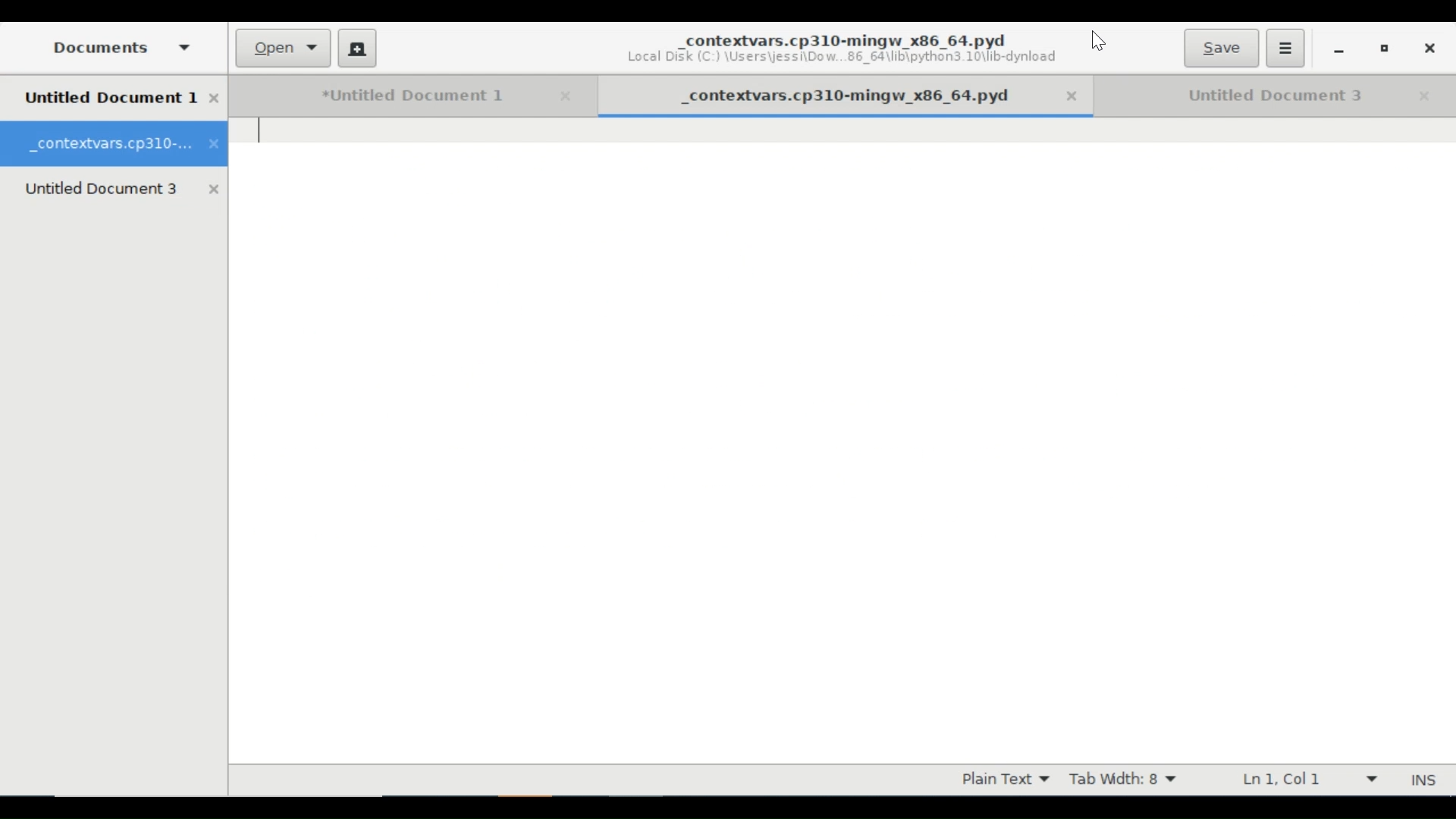  What do you see at coordinates (1005, 780) in the screenshot?
I see `Highlight mode` at bounding box center [1005, 780].